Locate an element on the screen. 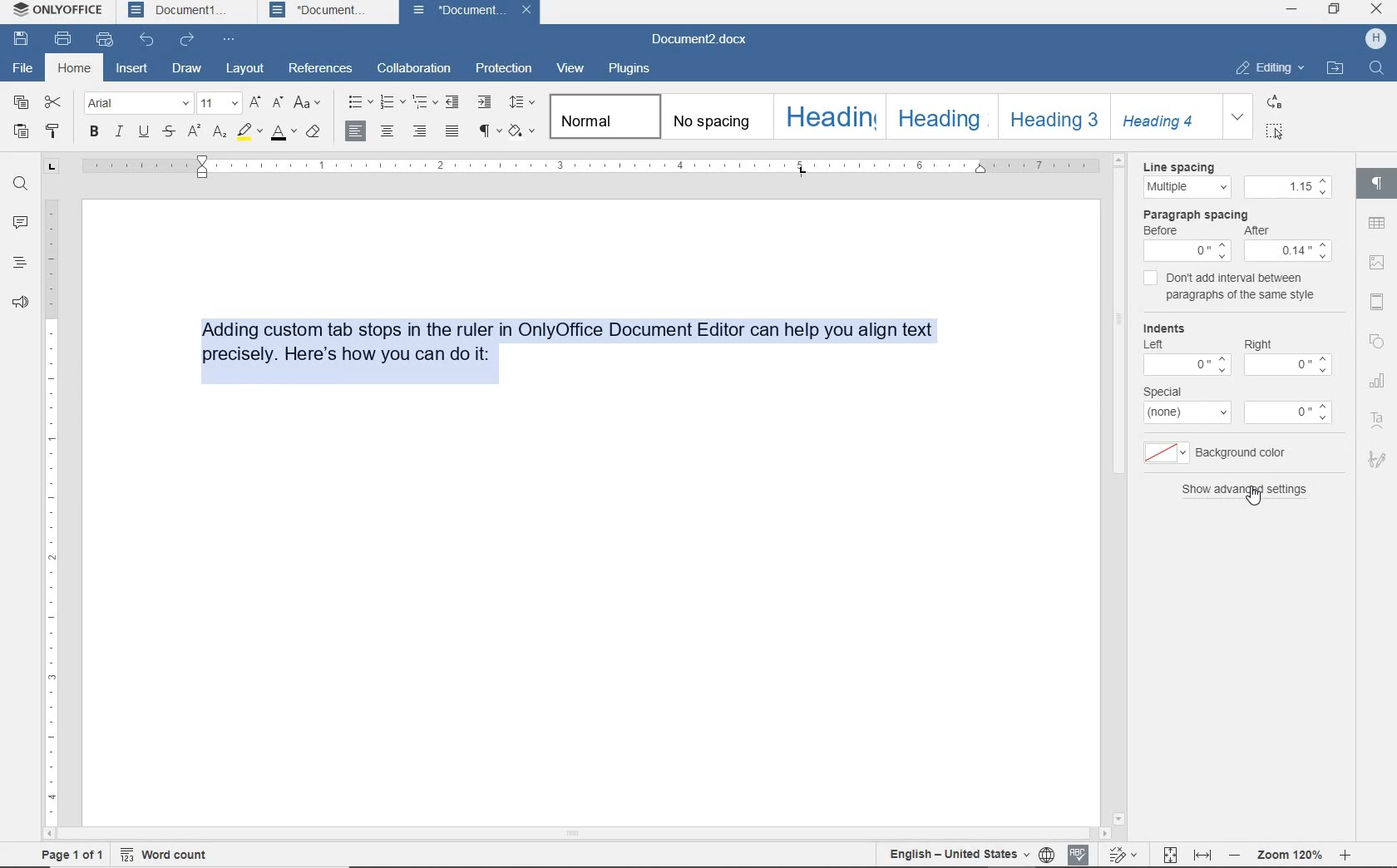 The height and width of the screenshot is (868, 1397). Right is located at coordinates (1263, 343).